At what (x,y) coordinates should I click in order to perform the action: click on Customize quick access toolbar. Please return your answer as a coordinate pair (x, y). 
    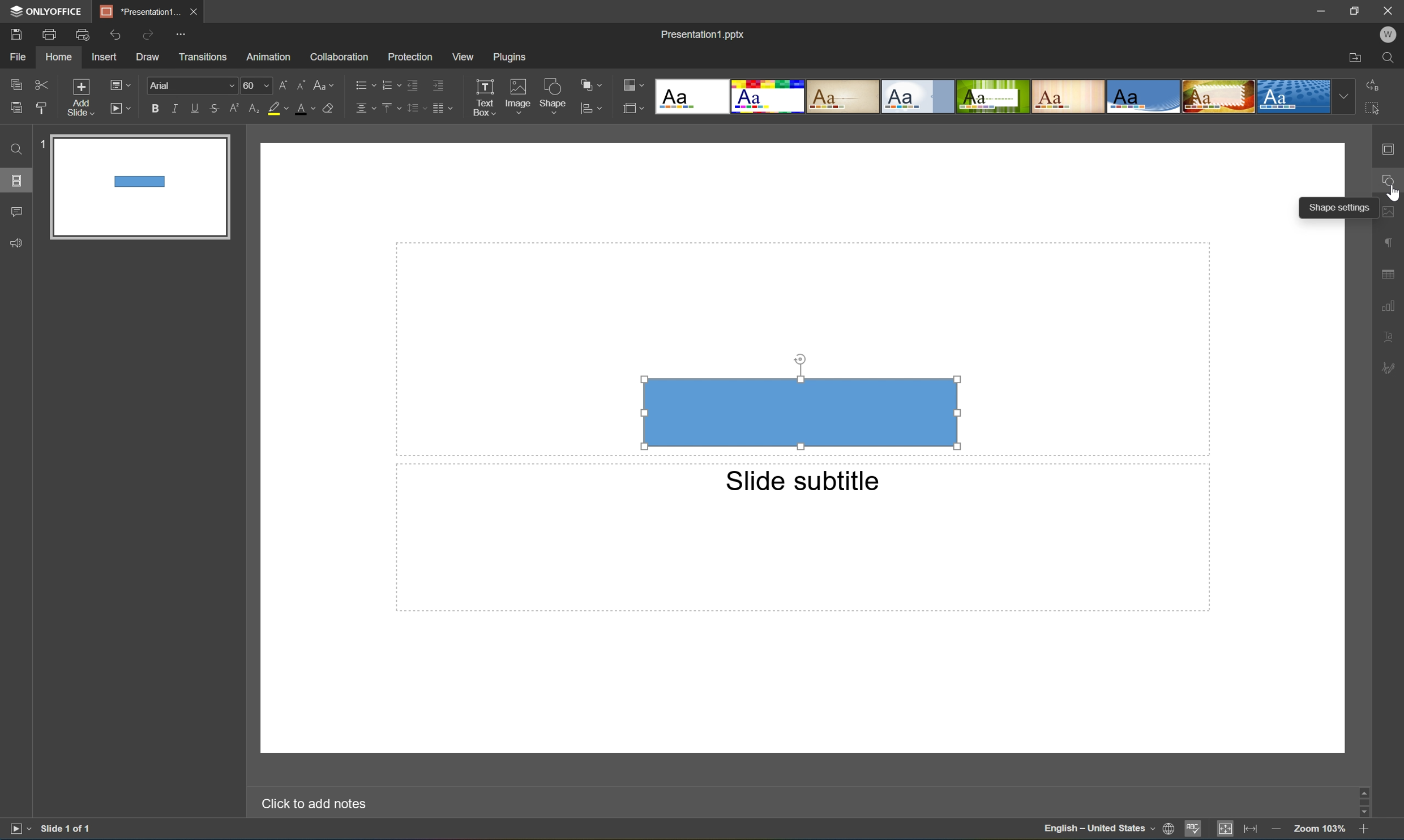
    Looking at the image, I should click on (178, 33).